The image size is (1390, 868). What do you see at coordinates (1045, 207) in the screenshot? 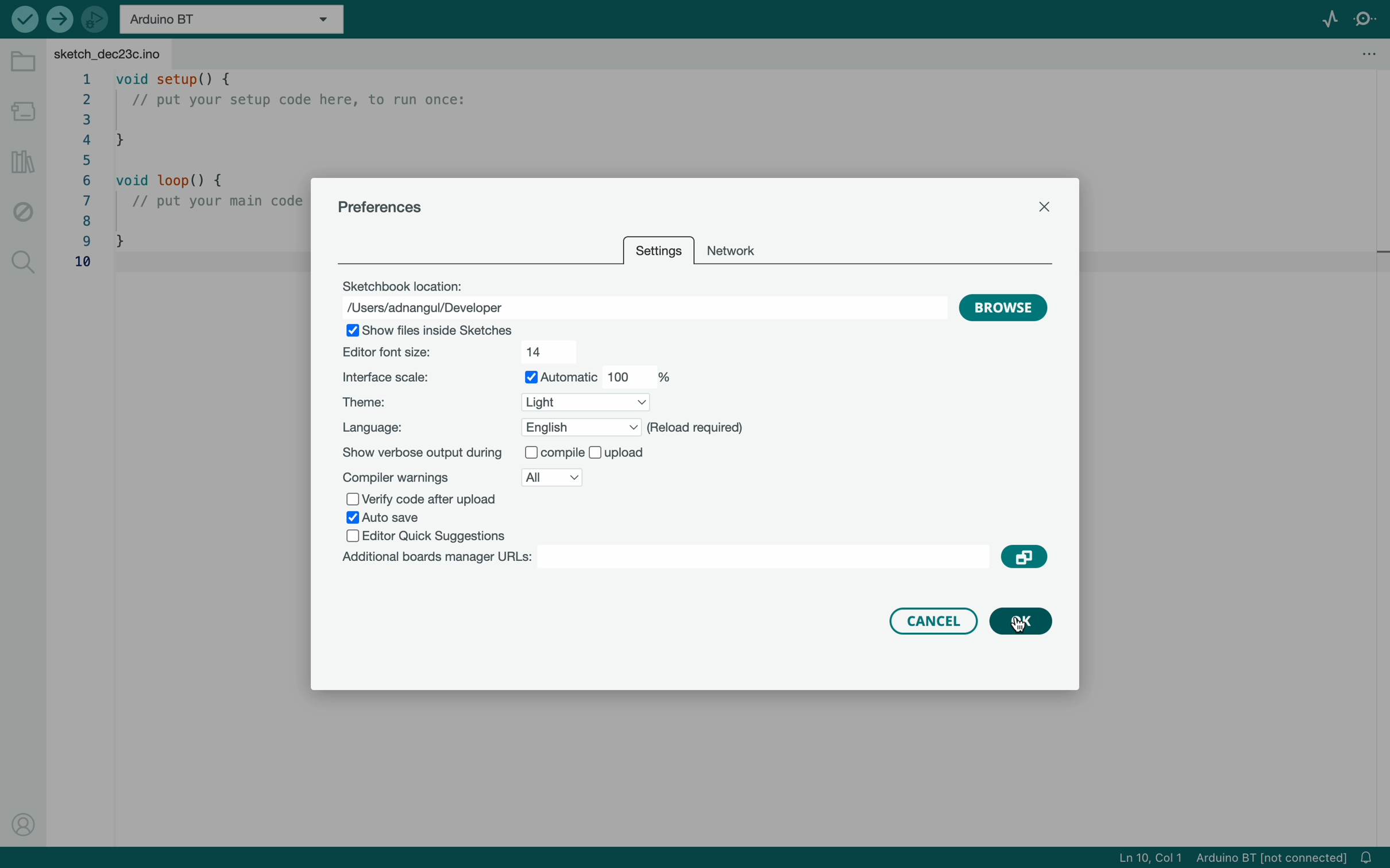
I see `close` at bounding box center [1045, 207].